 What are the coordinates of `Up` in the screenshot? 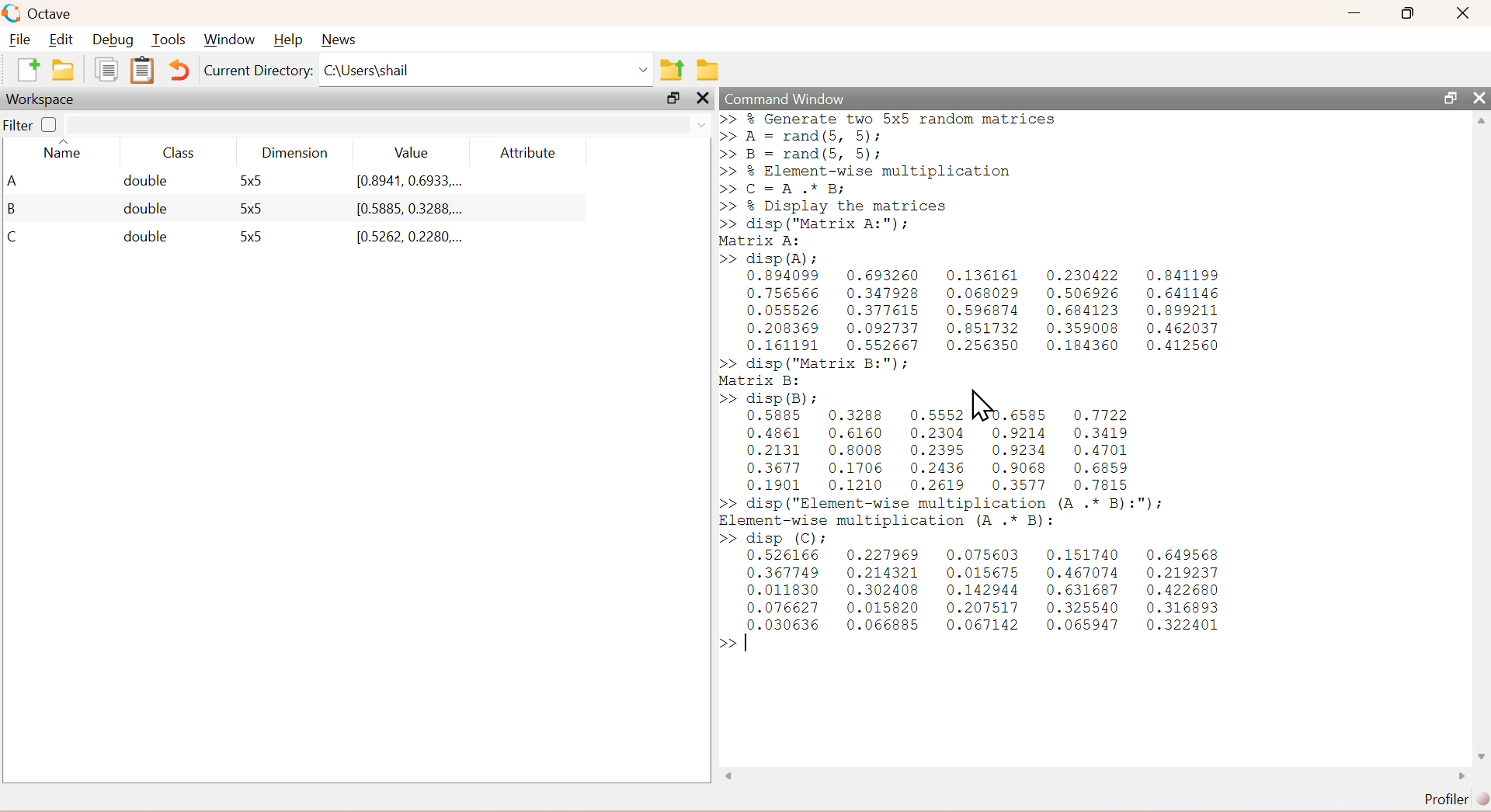 It's located at (1482, 123).